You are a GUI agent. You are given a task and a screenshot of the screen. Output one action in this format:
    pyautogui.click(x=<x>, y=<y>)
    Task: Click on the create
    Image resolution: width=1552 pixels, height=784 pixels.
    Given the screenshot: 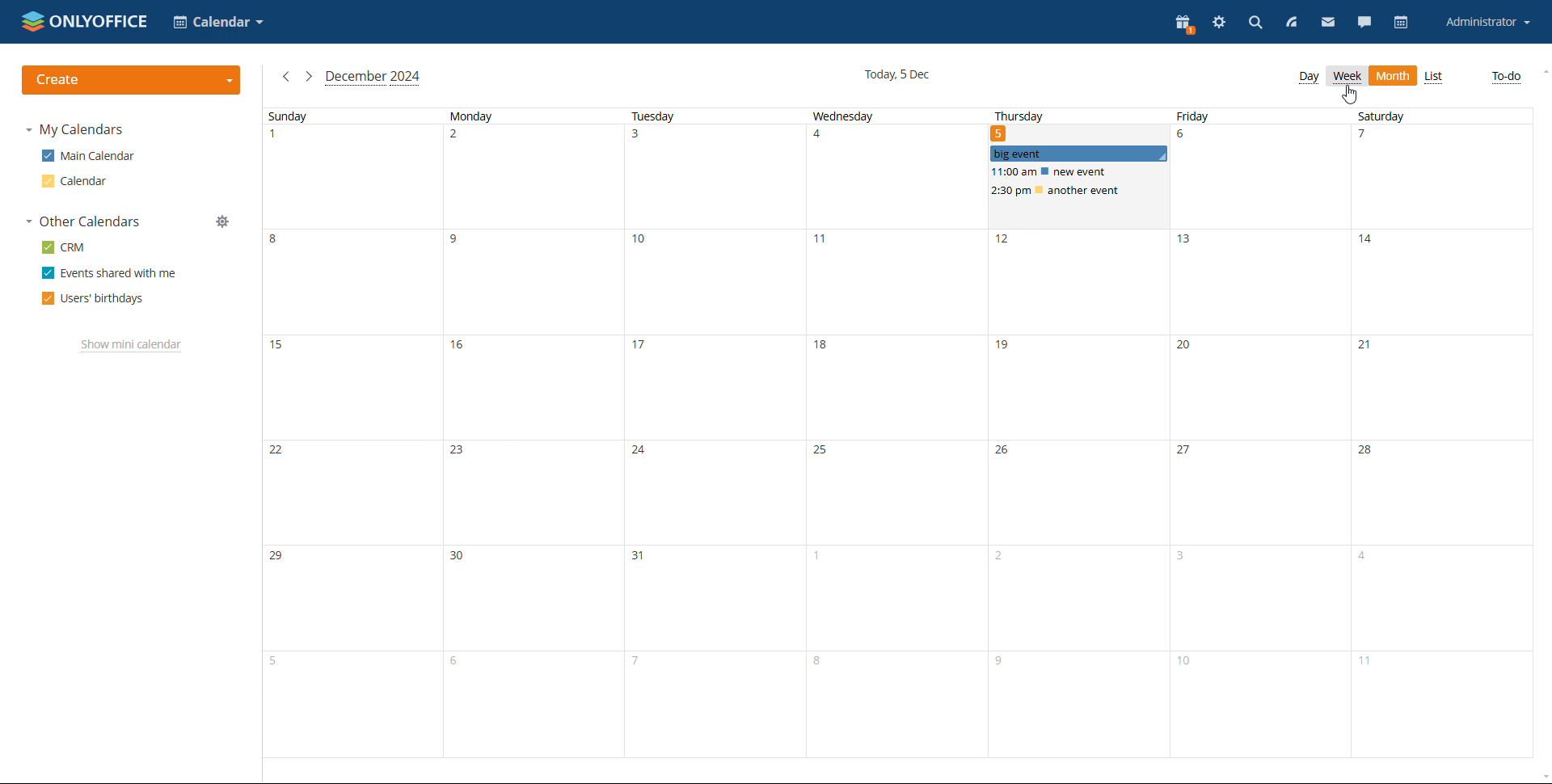 What is the action you would take?
    pyautogui.click(x=132, y=80)
    